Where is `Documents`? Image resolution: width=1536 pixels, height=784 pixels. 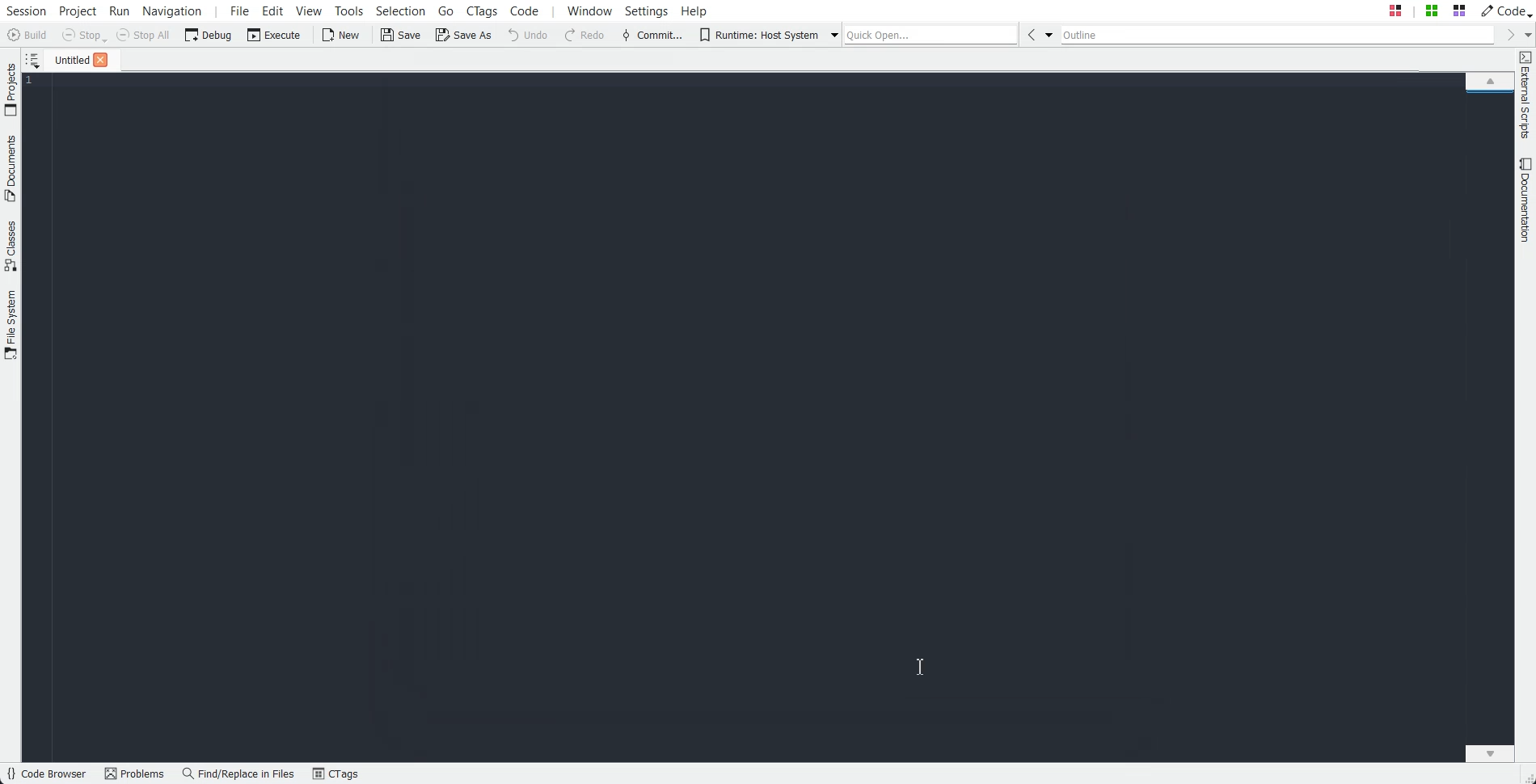
Documents is located at coordinates (11, 168).